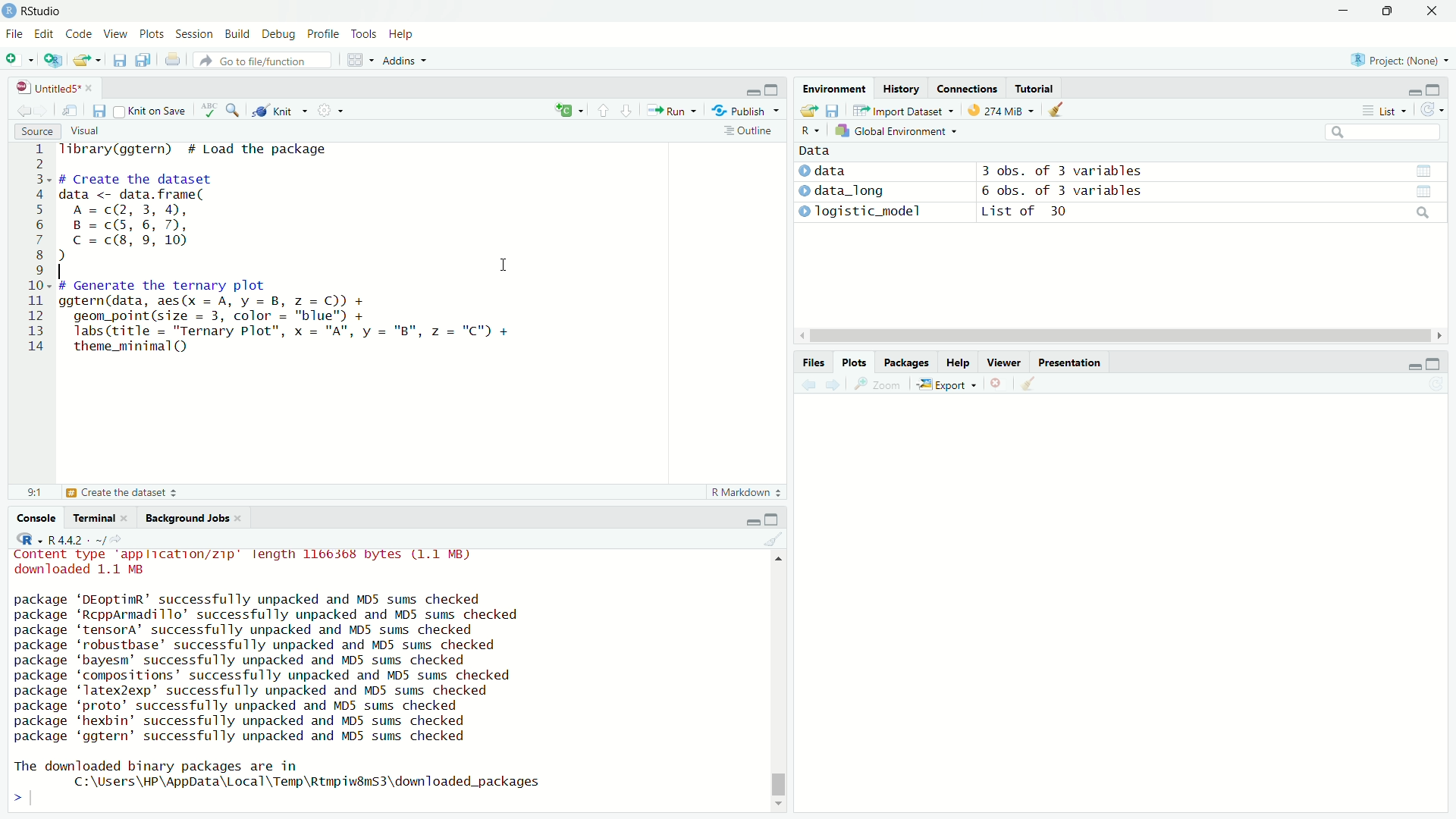 The height and width of the screenshot is (819, 1456). I want to click on Plots, so click(149, 35).